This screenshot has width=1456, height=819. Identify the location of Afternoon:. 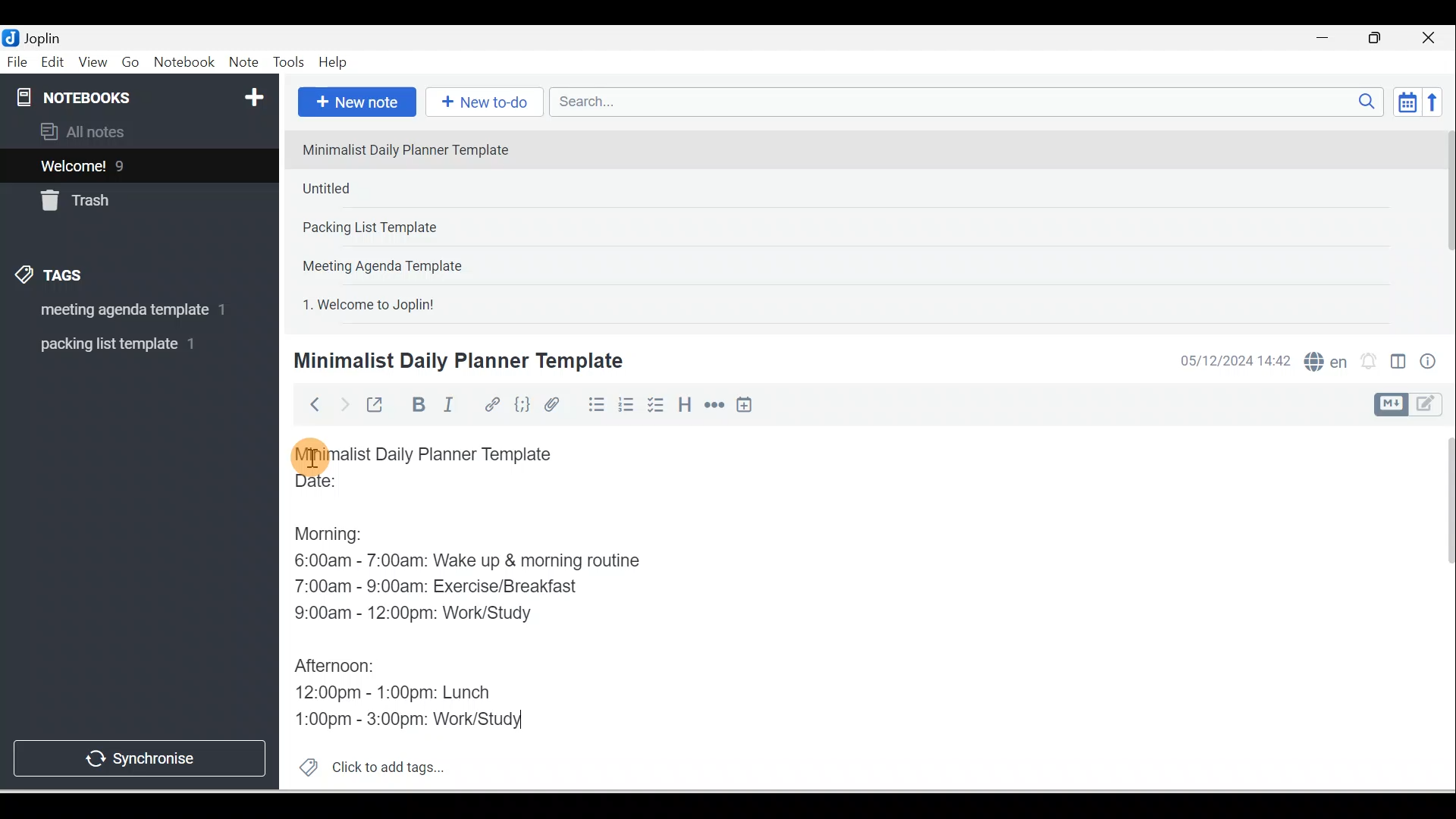
(340, 663).